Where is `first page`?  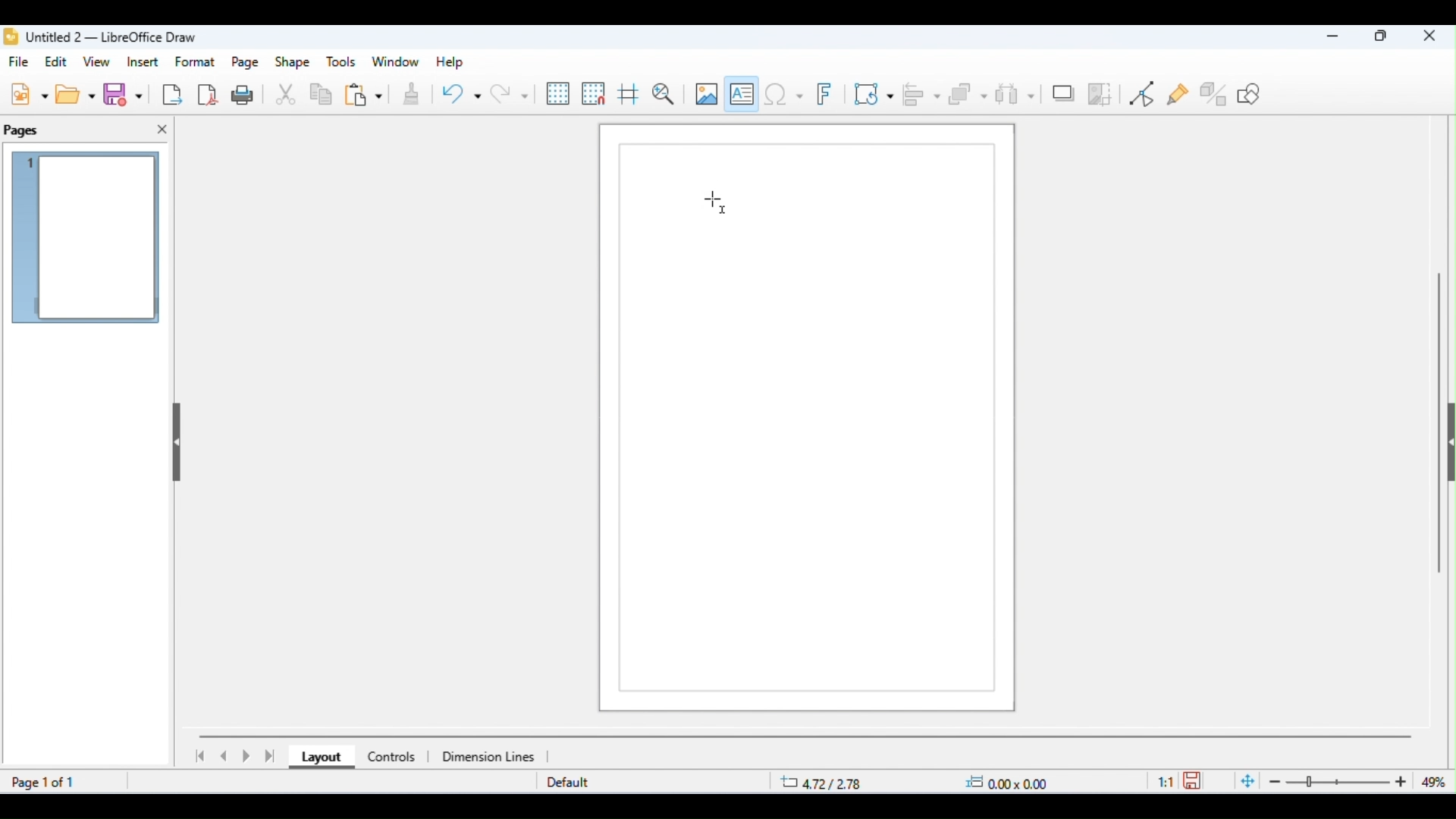 first page is located at coordinates (199, 756).